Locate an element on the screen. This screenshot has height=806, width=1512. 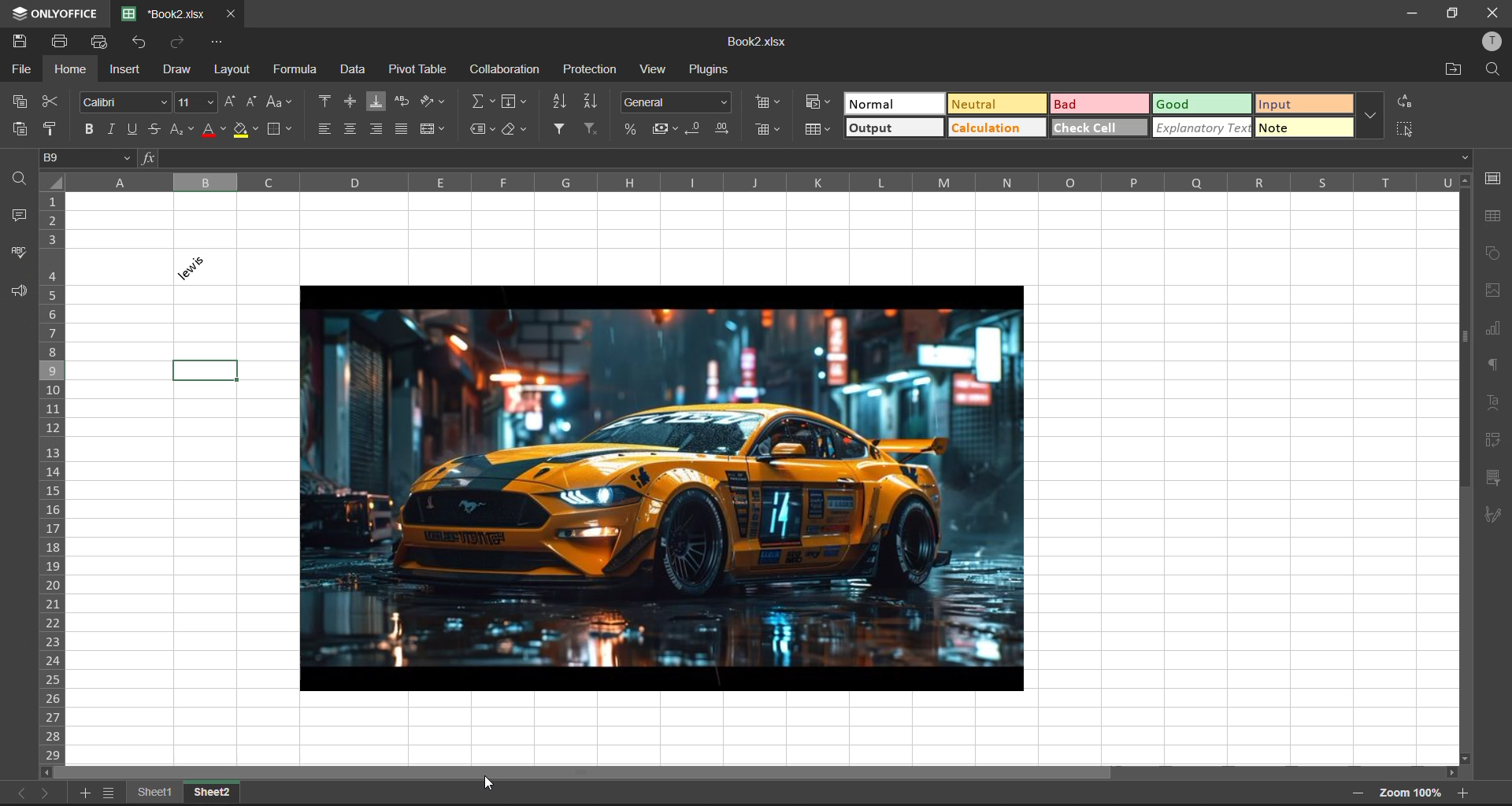
select all is located at coordinates (1406, 128).